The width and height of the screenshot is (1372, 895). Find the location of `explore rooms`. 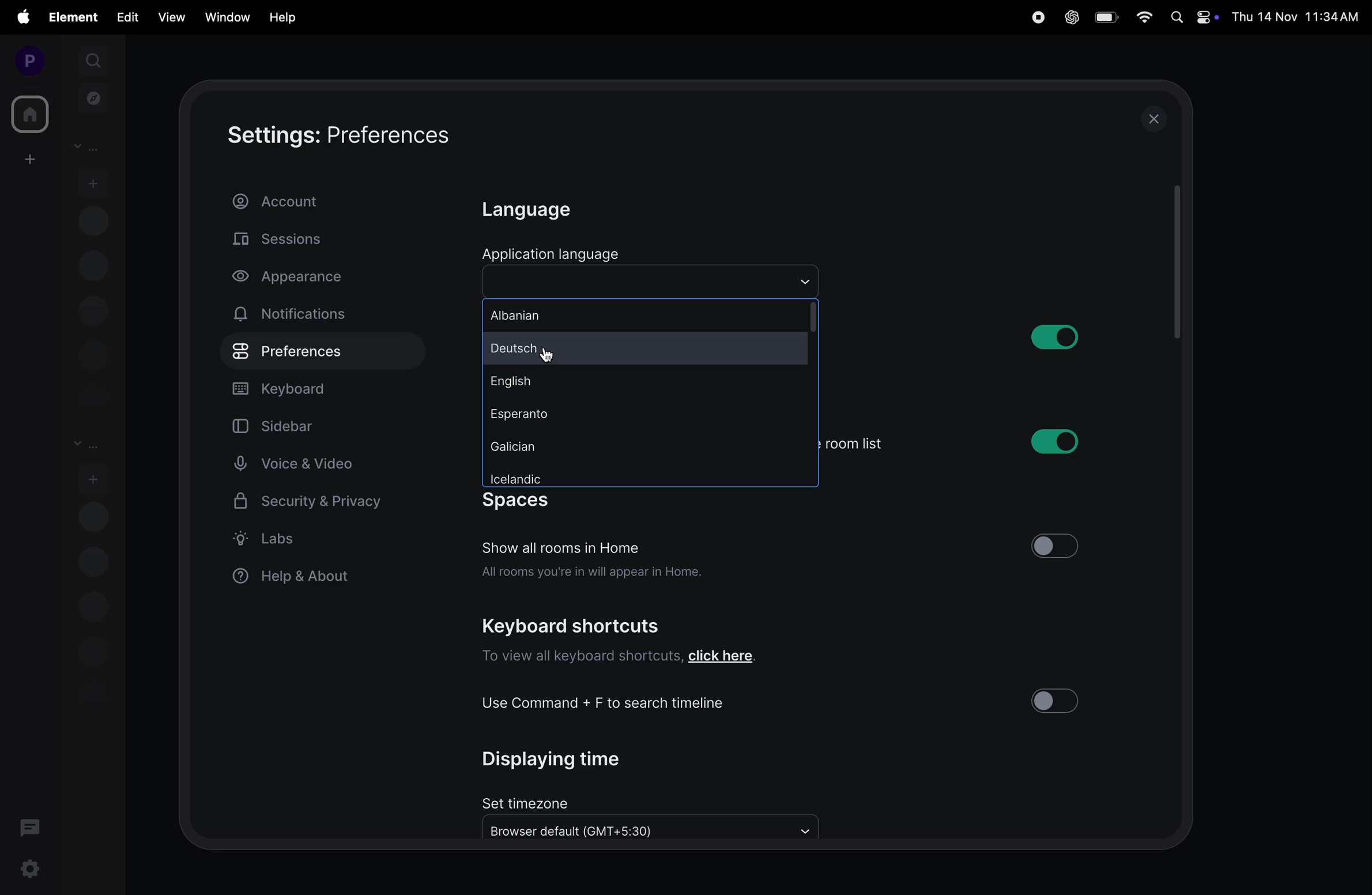

explore rooms is located at coordinates (94, 101).